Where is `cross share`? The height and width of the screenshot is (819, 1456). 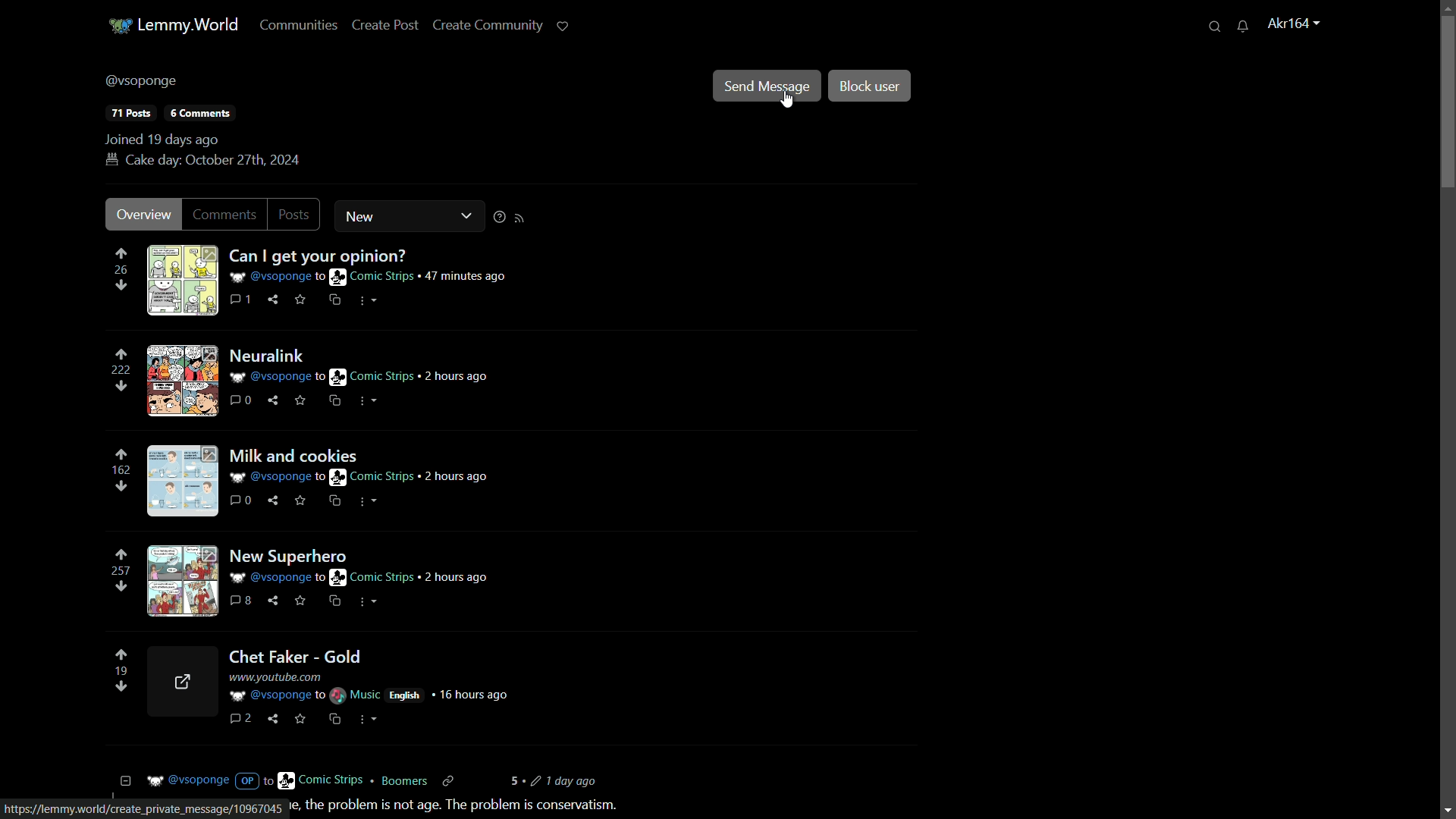
cross share is located at coordinates (337, 301).